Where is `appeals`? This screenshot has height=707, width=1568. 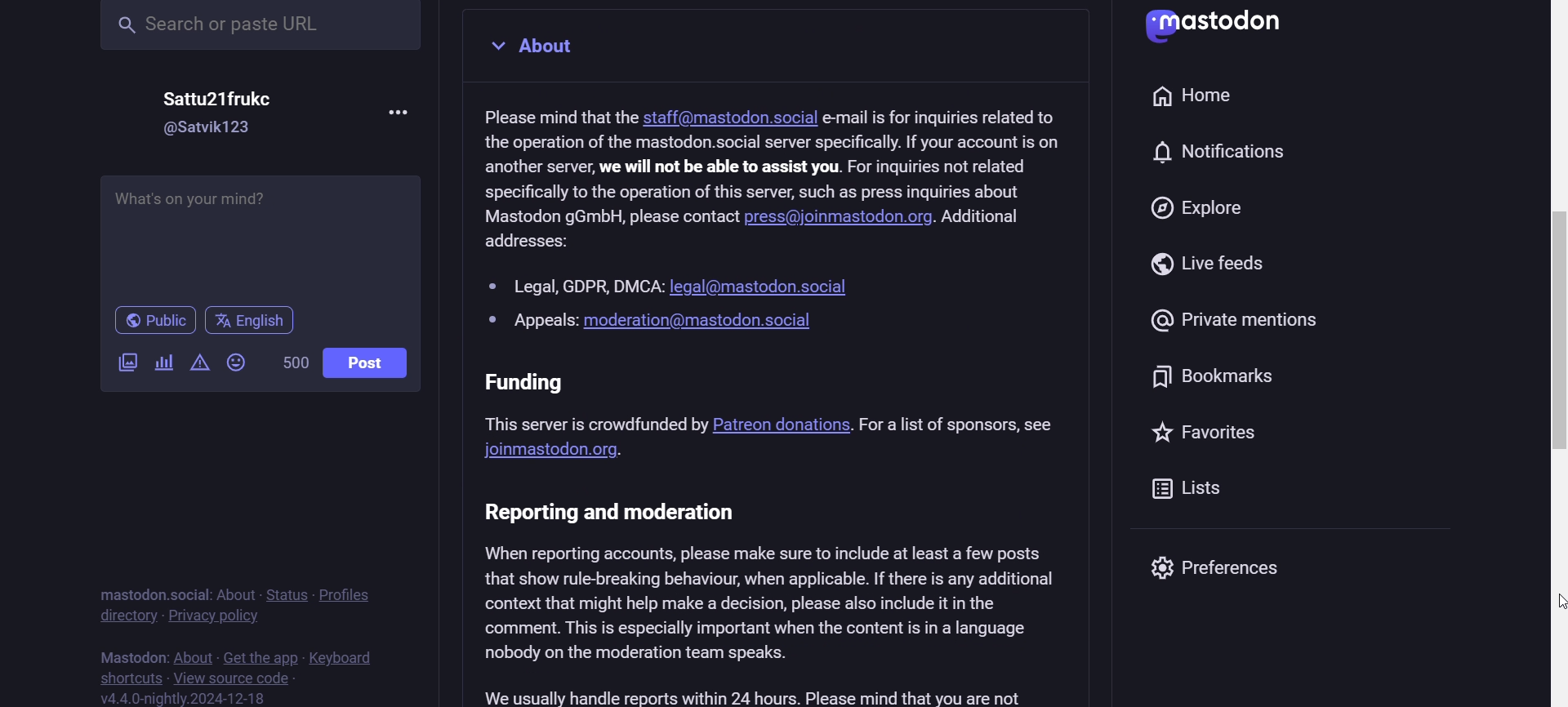
appeals is located at coordinates (532, 322).